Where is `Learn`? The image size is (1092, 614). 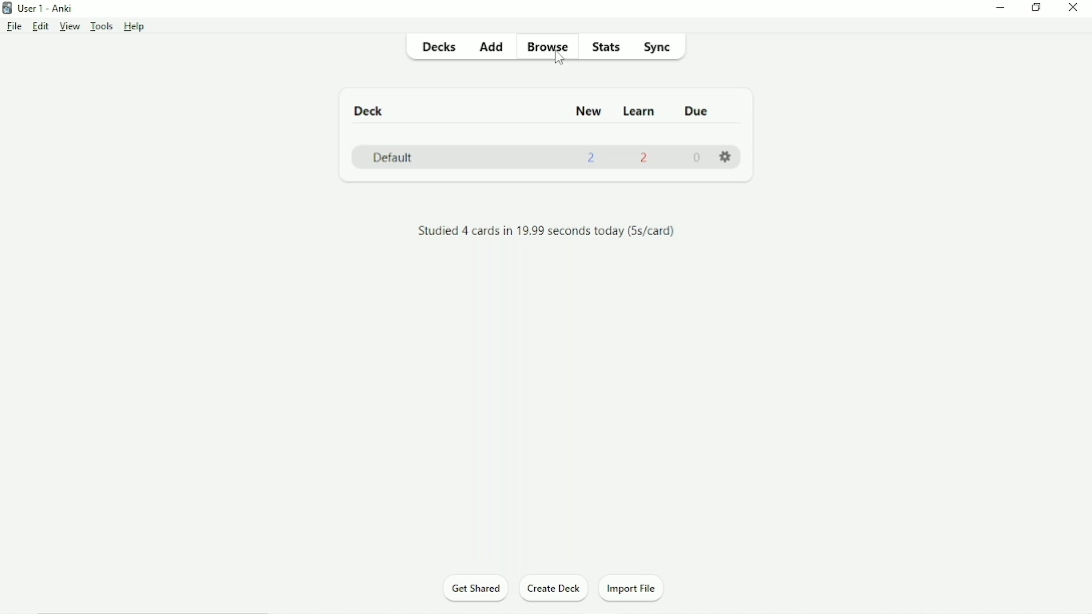
Learn is located at coordinates (641, 111).